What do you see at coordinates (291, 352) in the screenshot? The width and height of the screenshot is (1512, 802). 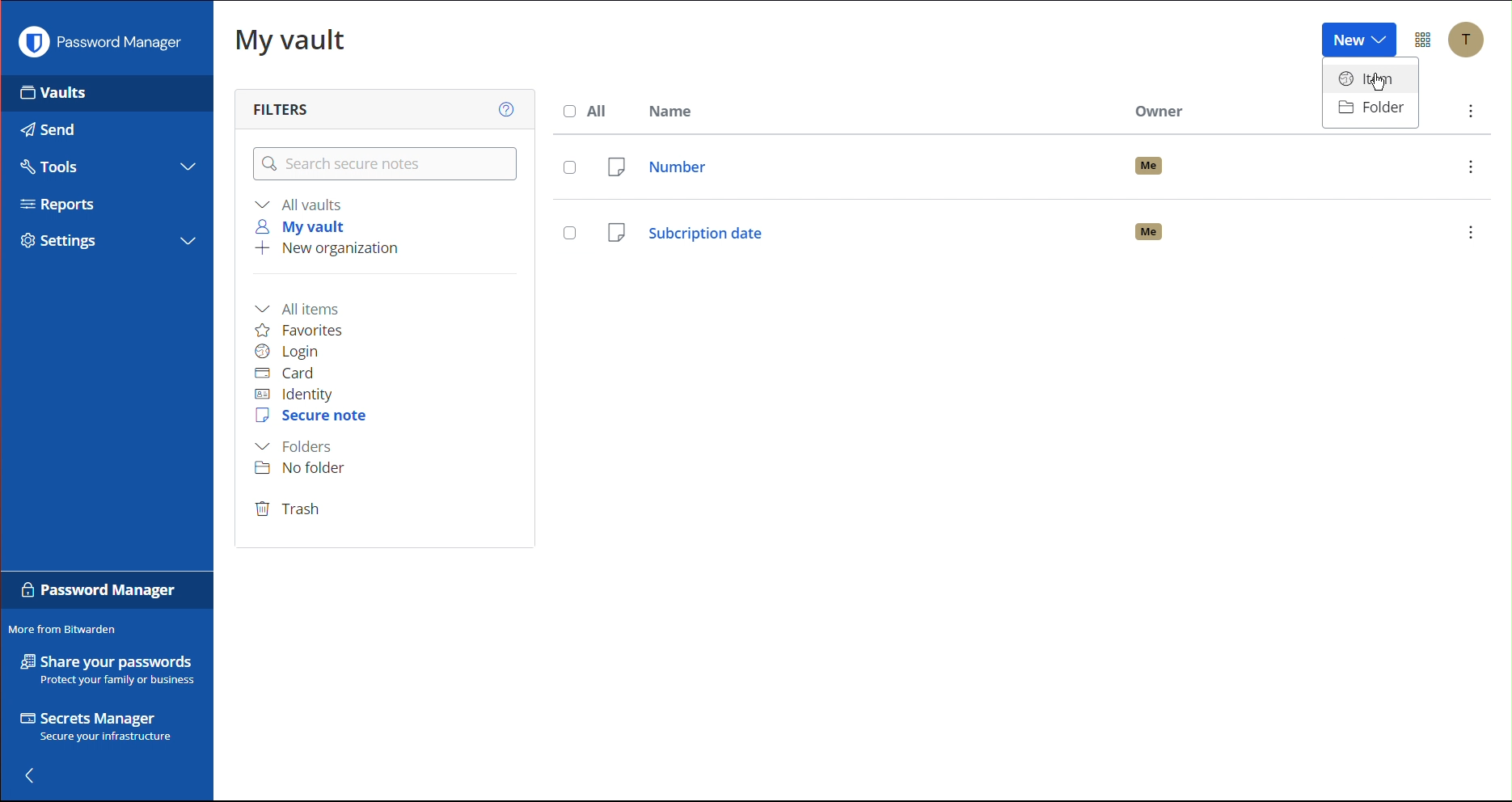 I see `Login` at bounding box center [291, 352].